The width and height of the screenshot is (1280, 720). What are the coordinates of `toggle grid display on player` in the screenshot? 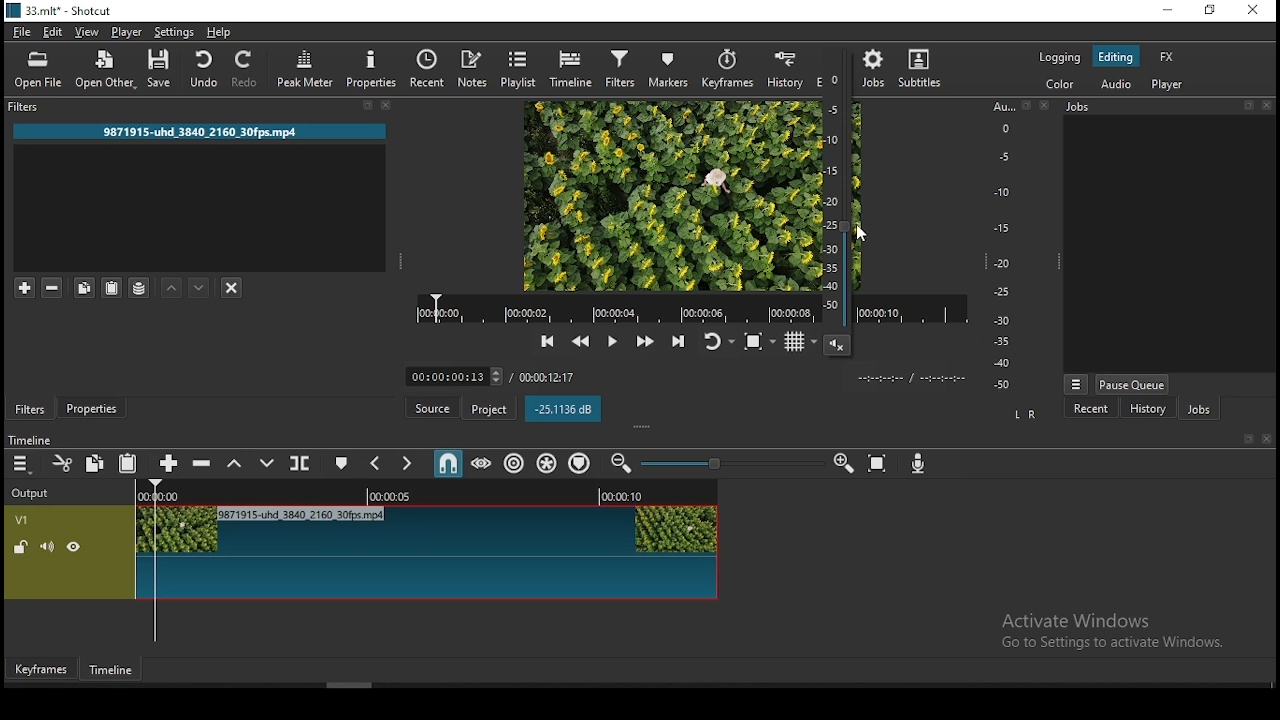 It's located at (795, 345).